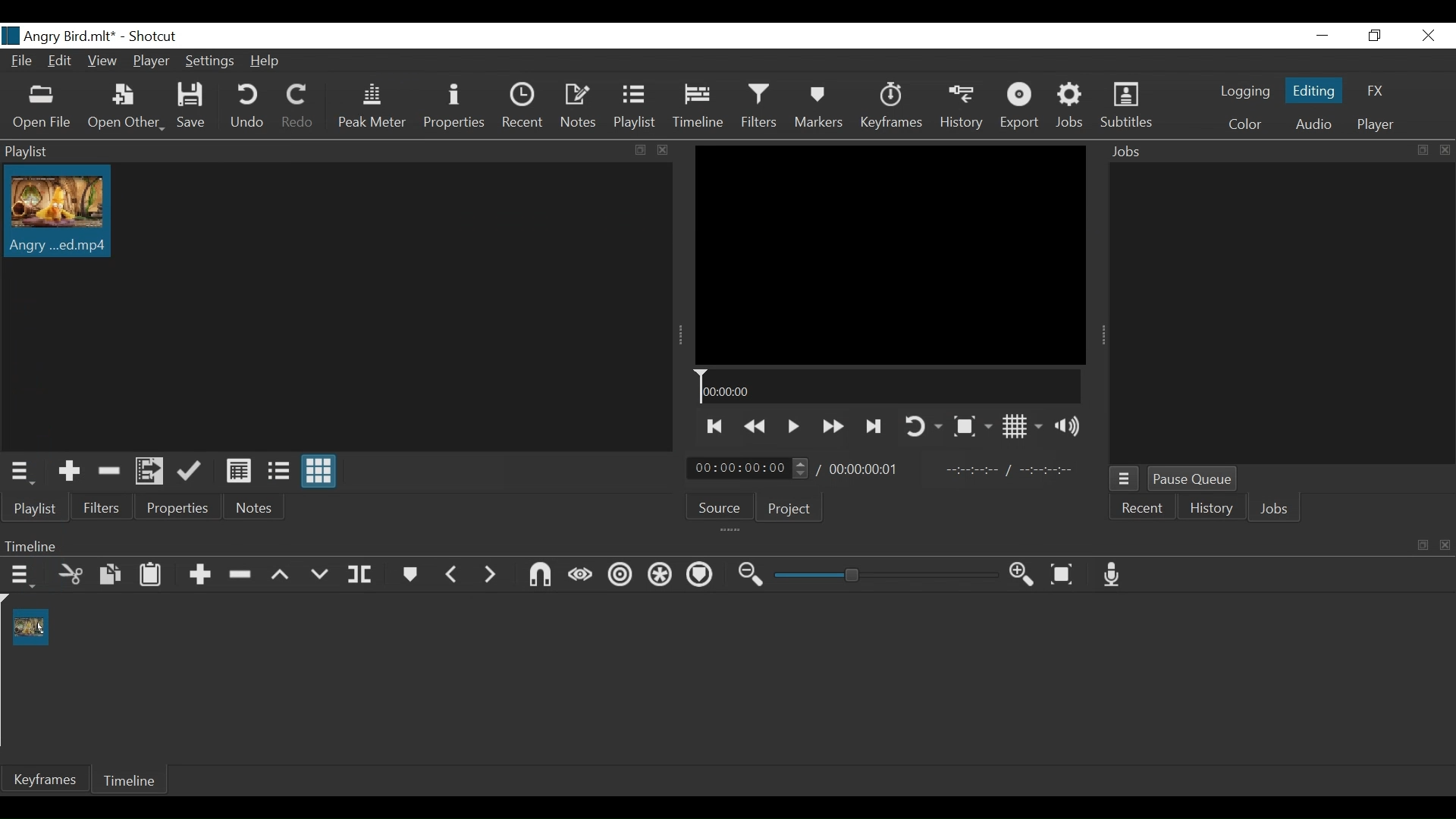  What do you see at coordinates (190, 106) in the screenshot?
I see `Save` at bounding box center [190, 106].